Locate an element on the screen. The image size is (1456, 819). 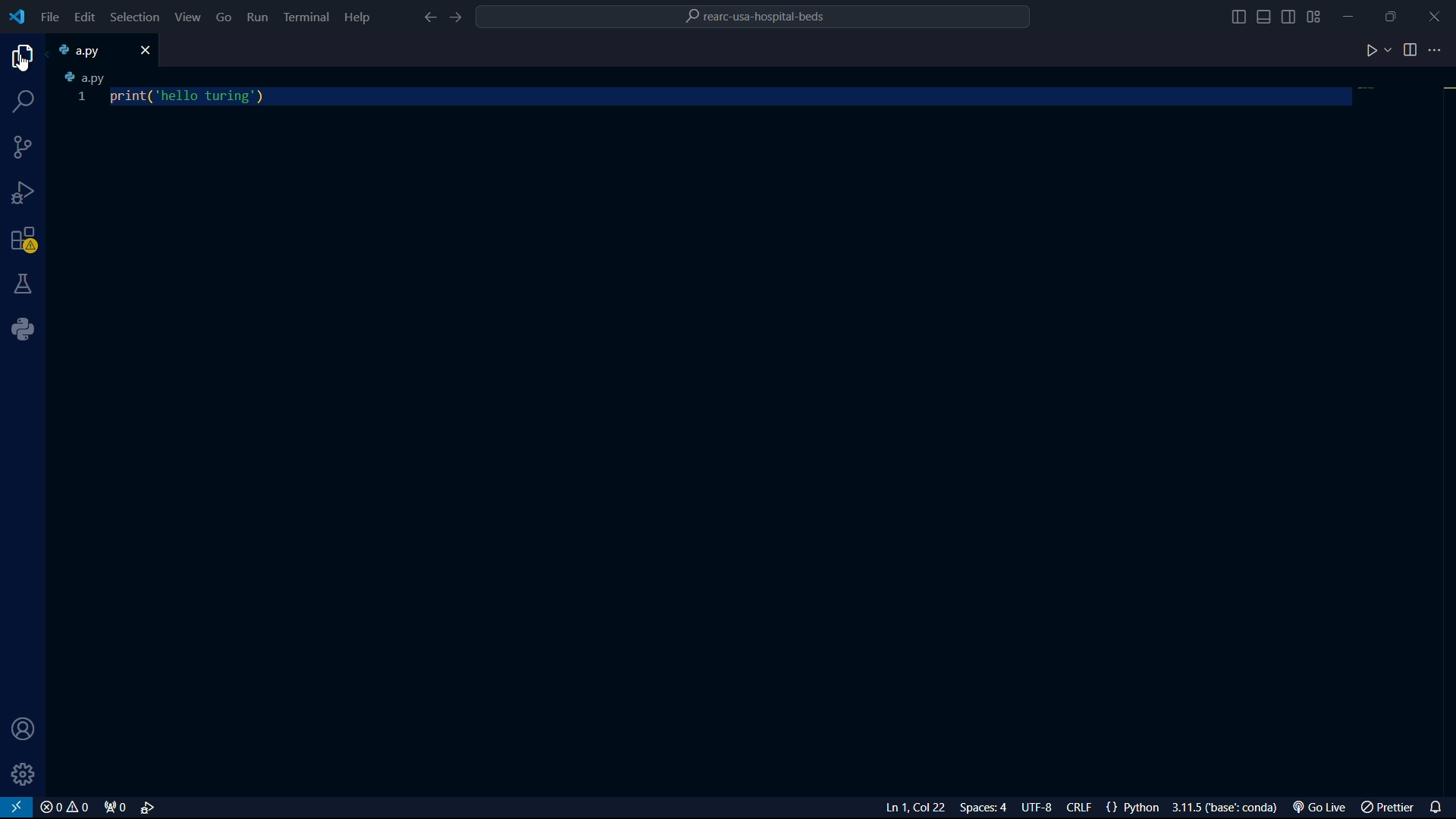
select indentation is located at coordinates (984, 809).